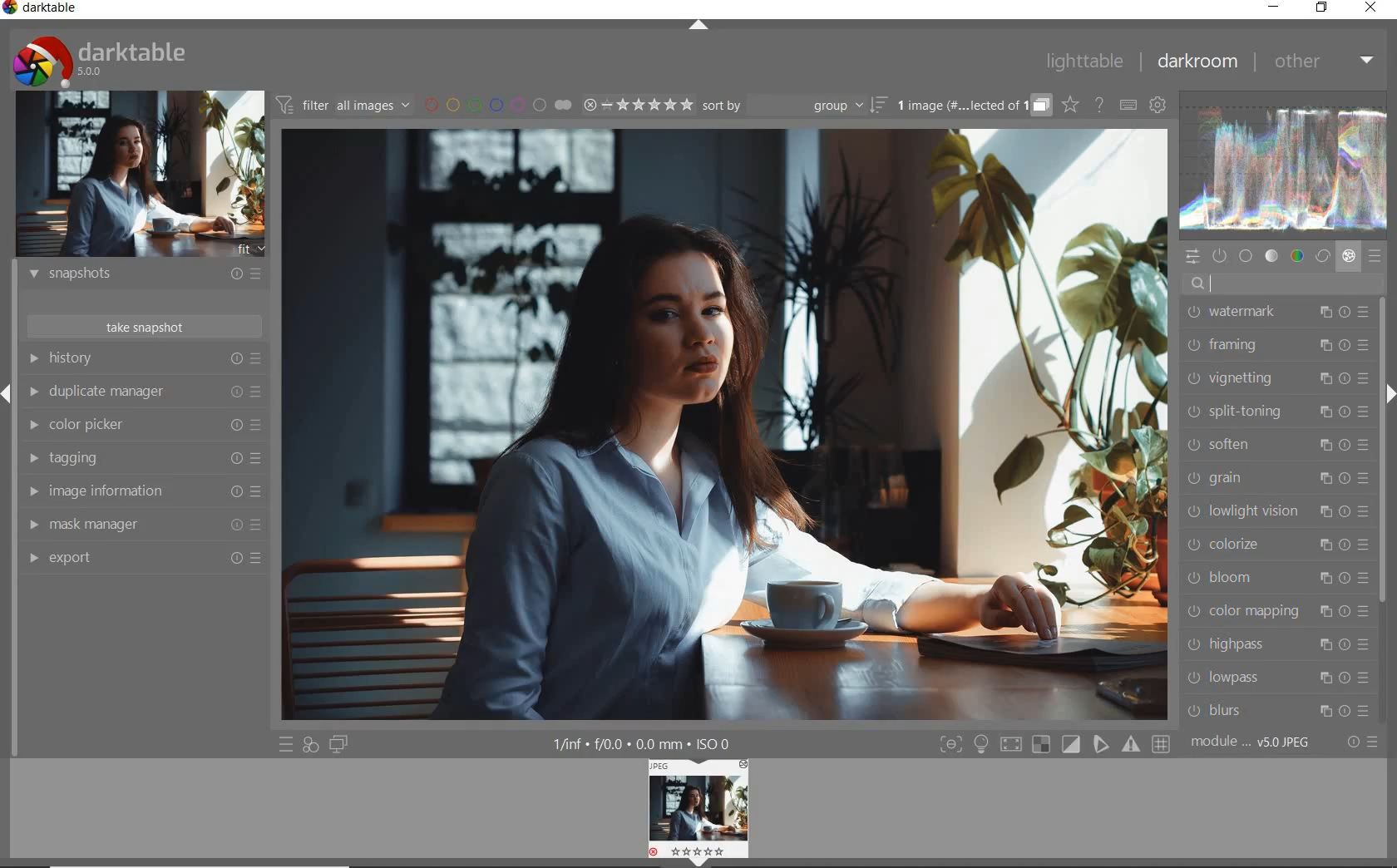 Image resolution: width=1397 pixels, height=868 pixels. I want to click on watermark, so click(1275, 316).